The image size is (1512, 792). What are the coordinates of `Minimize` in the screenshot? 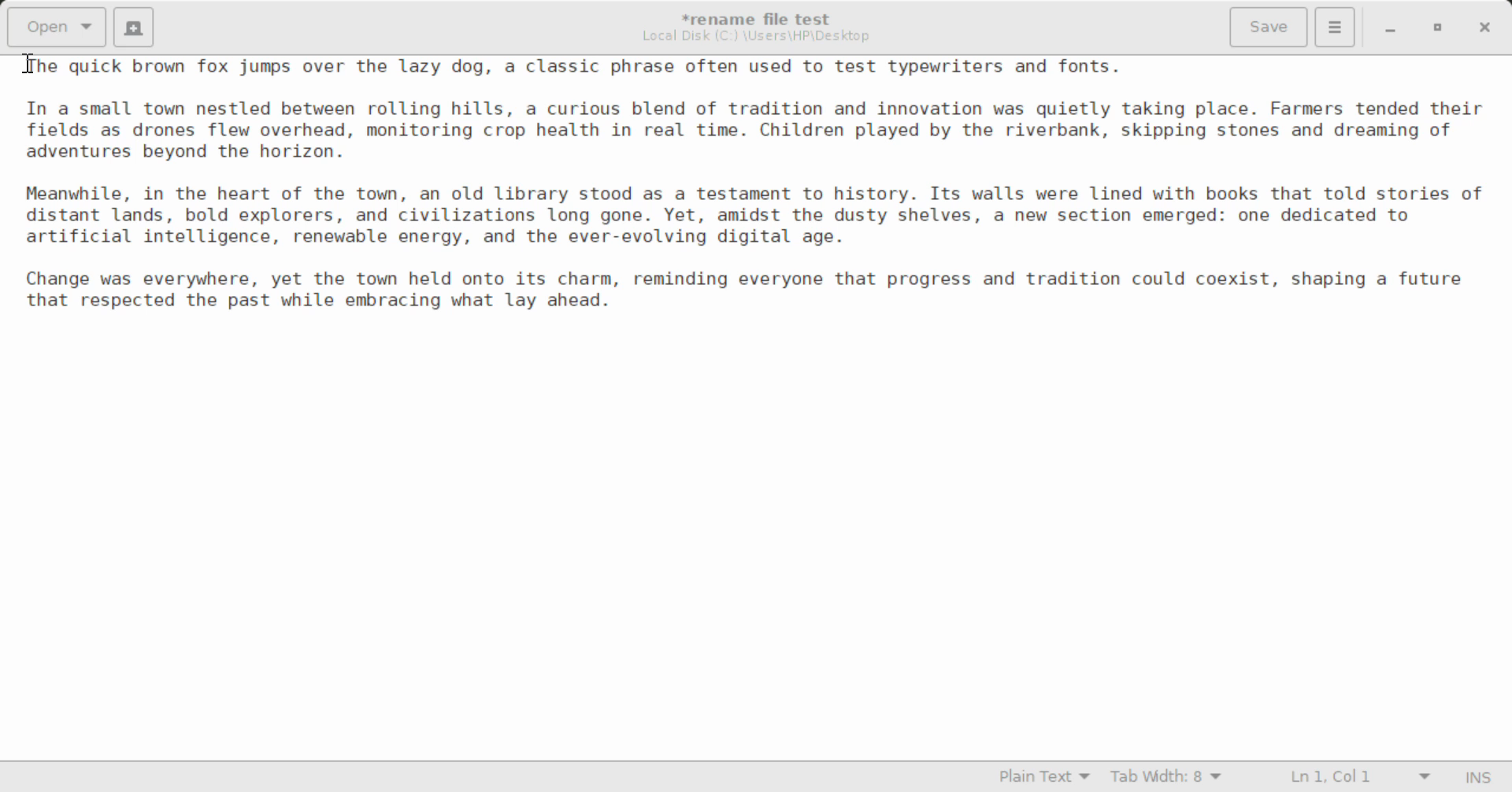 It's located at (1440, 30).